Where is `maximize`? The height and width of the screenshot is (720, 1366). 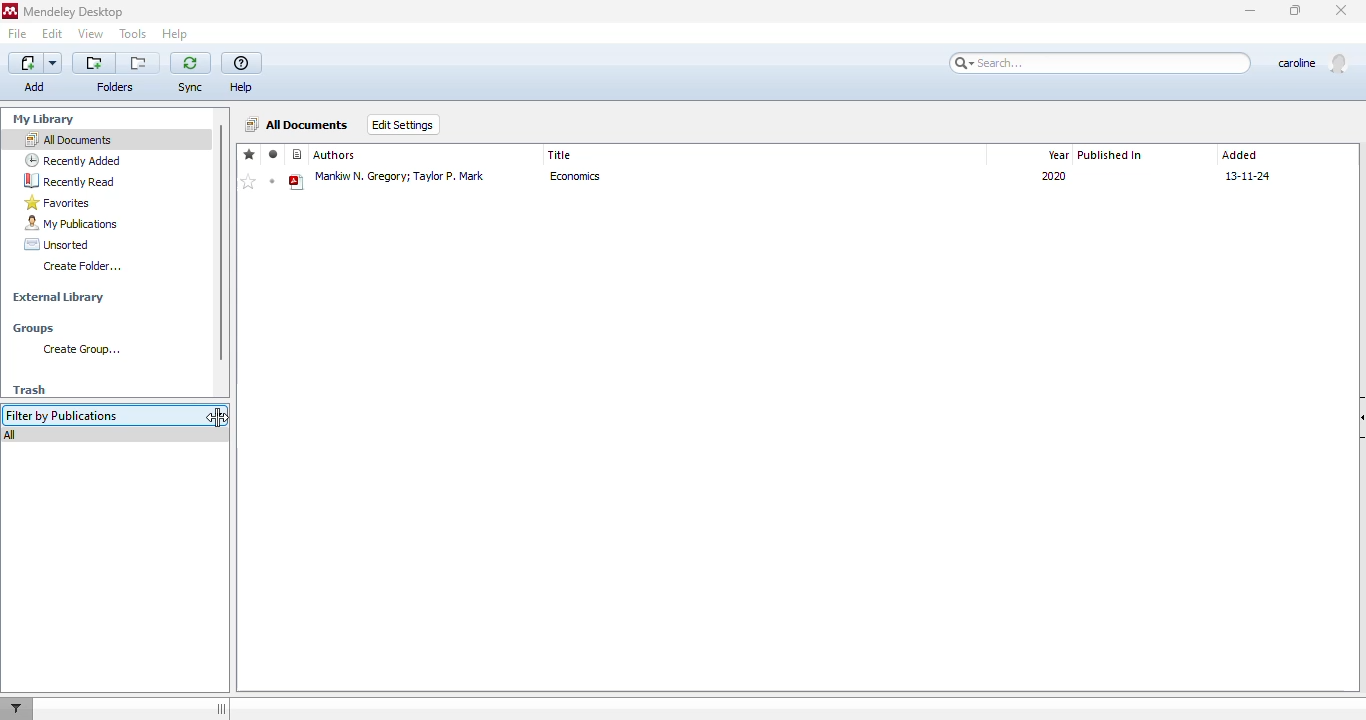
maximize is located at coordinates (1296, 10).